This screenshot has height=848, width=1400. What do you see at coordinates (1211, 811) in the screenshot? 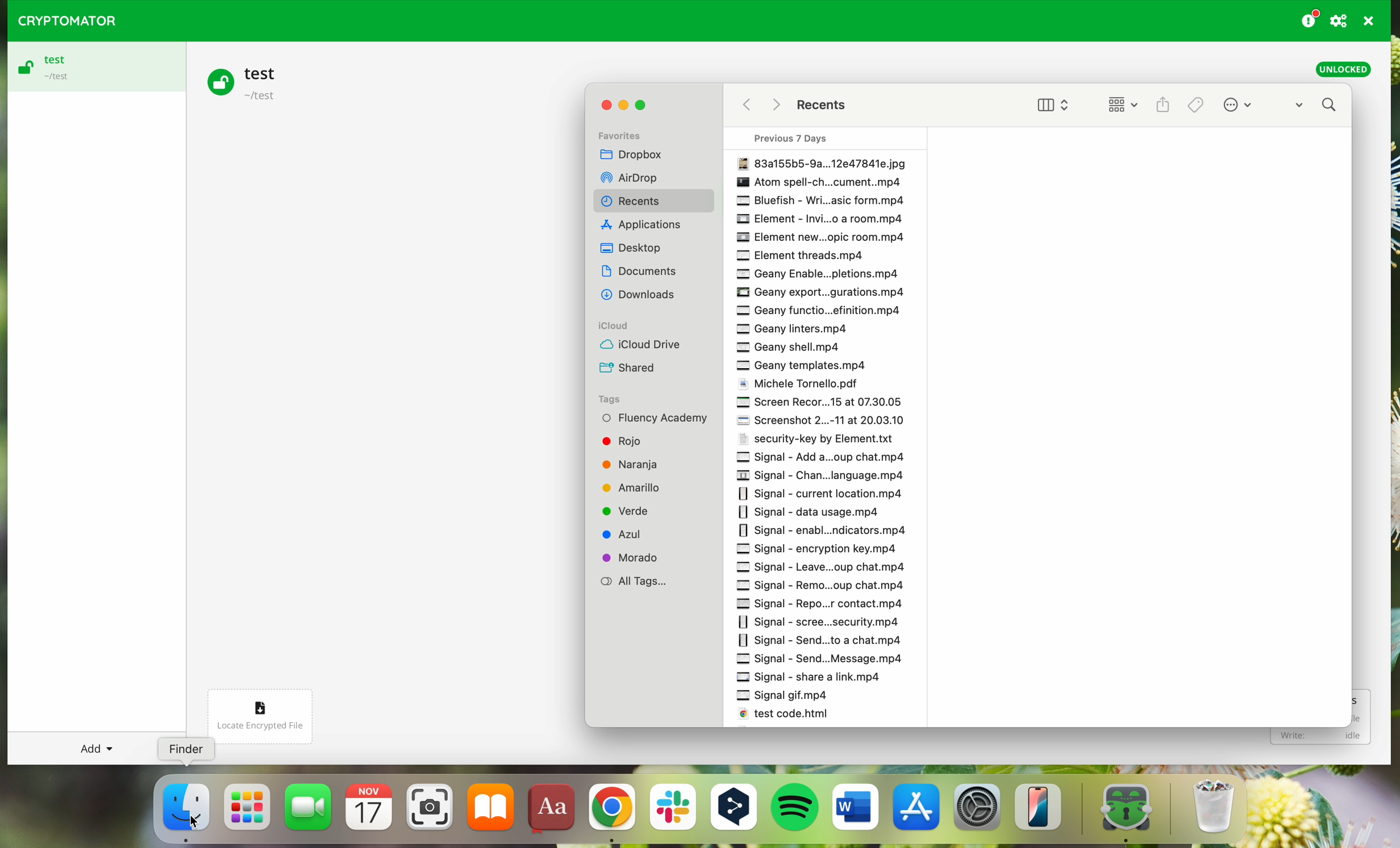
I see `trash` at bounding box center [1211, 811].